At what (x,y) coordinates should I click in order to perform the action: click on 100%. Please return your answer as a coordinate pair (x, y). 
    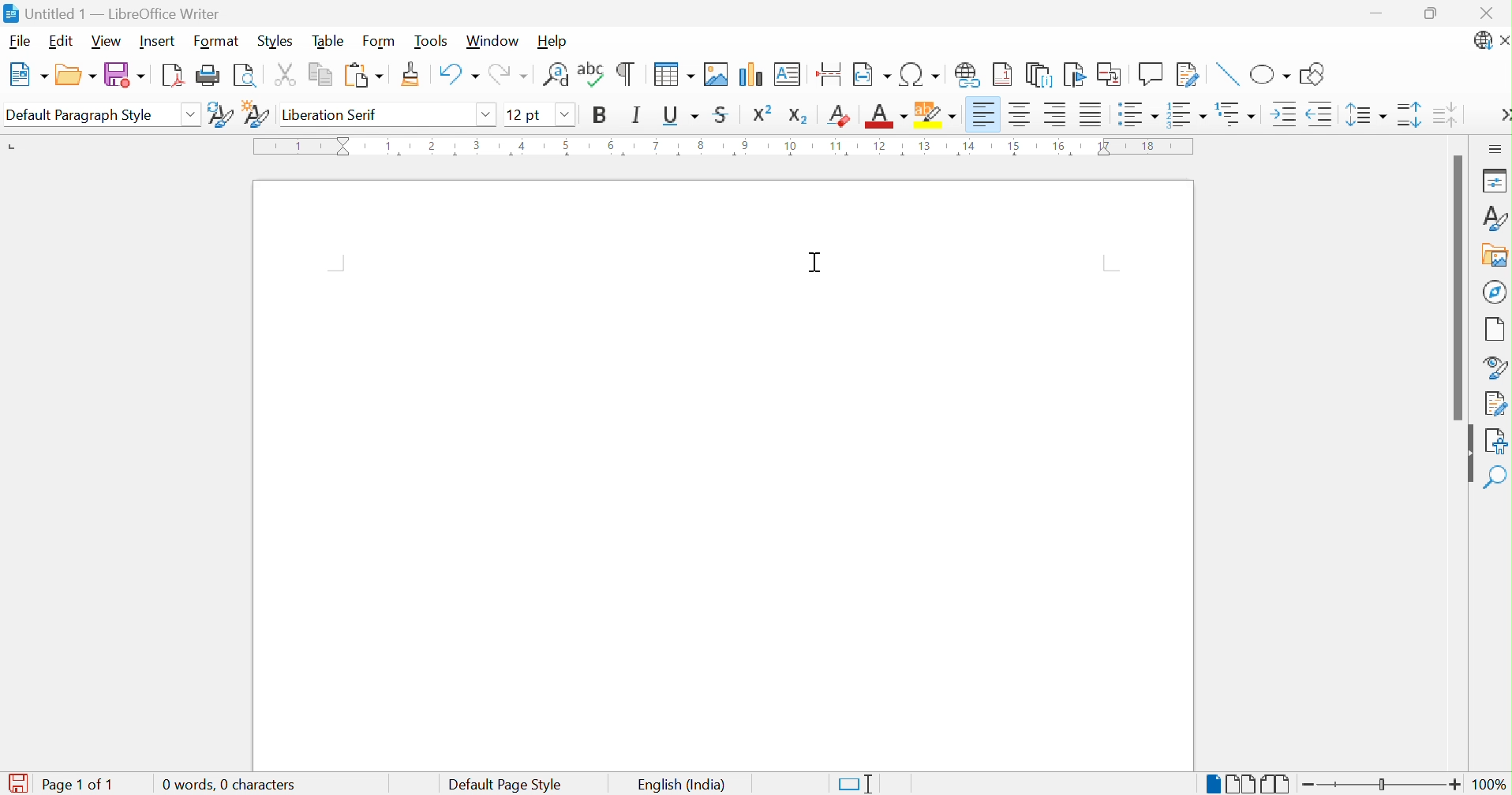
    Looking at the image, I should click on (1490, 785).